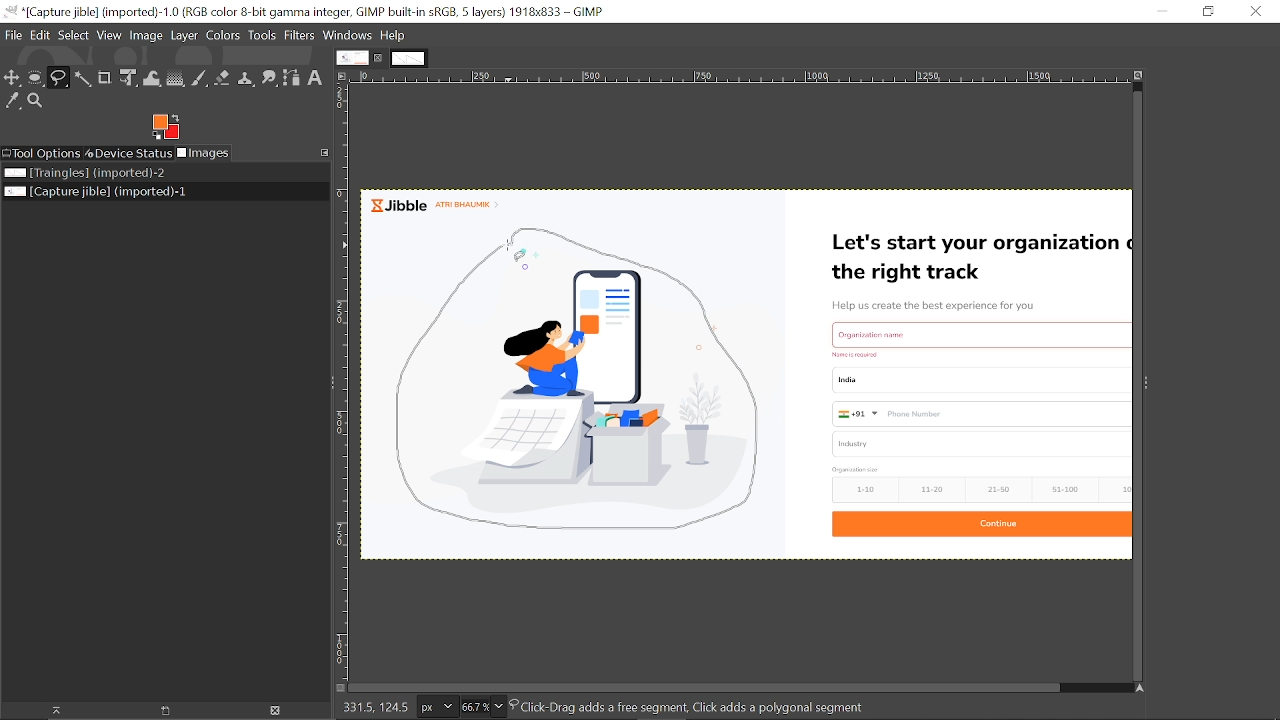 This screenshot has width=1280, height=720. Describe the element at coordinates (176, 78) in the screenshot. I see `Gradient tool` at that location.